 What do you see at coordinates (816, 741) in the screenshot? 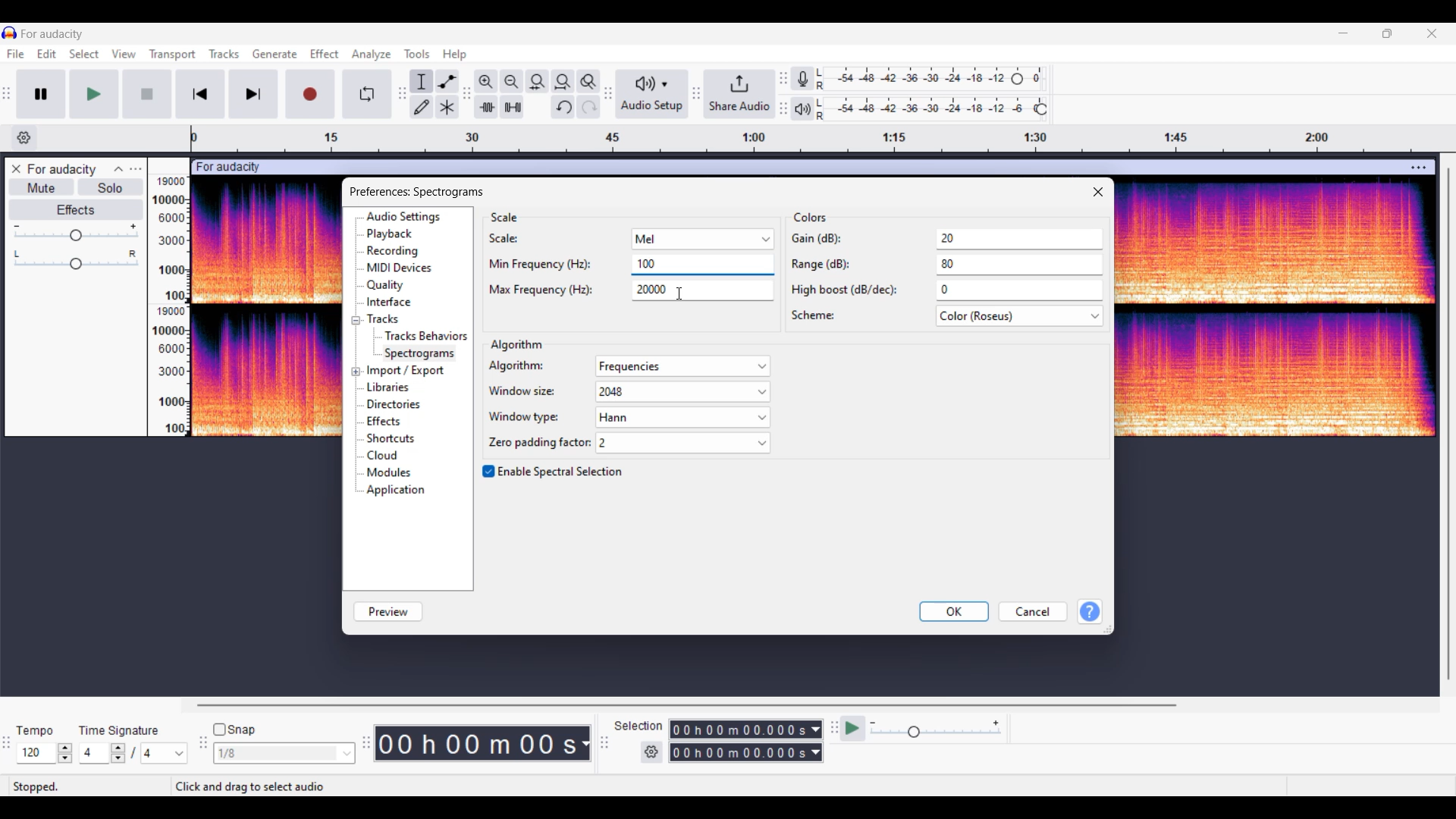
I see `Selection duration measurement` at bounding box center [816, 741].